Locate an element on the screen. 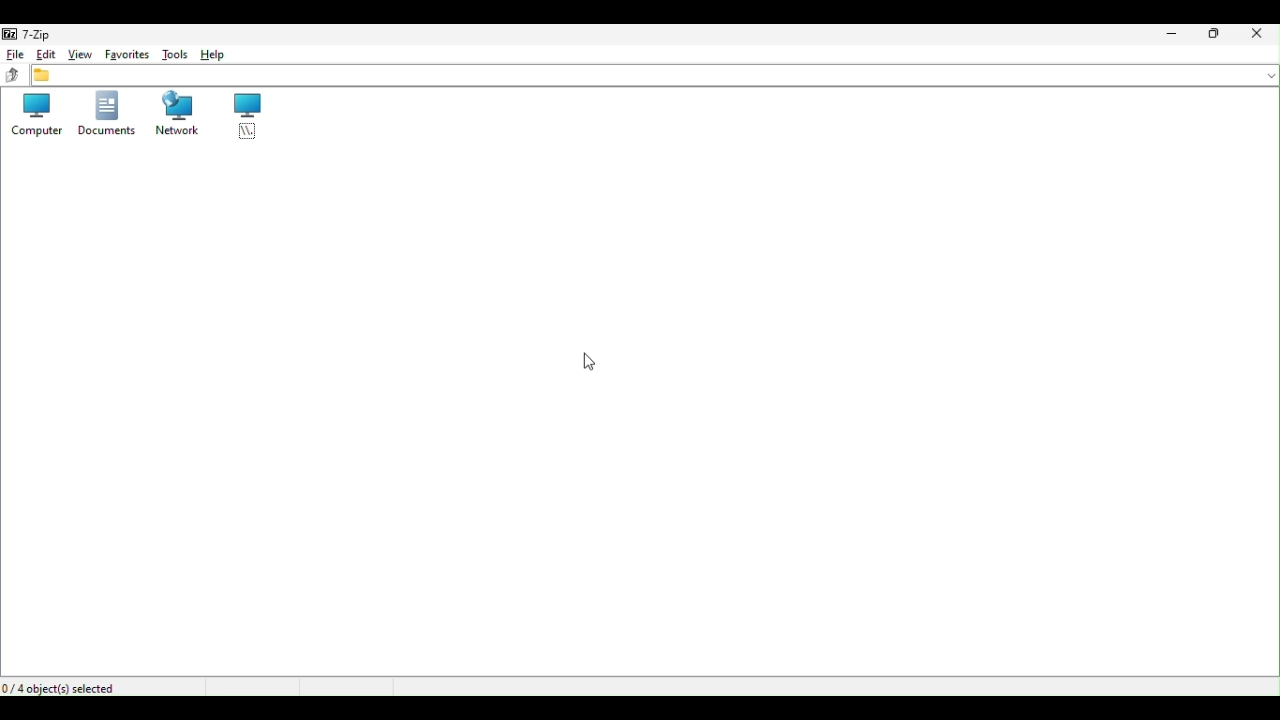 This screenshot has width=1280, height=720. Restore is located at coordinates (1215, 33).